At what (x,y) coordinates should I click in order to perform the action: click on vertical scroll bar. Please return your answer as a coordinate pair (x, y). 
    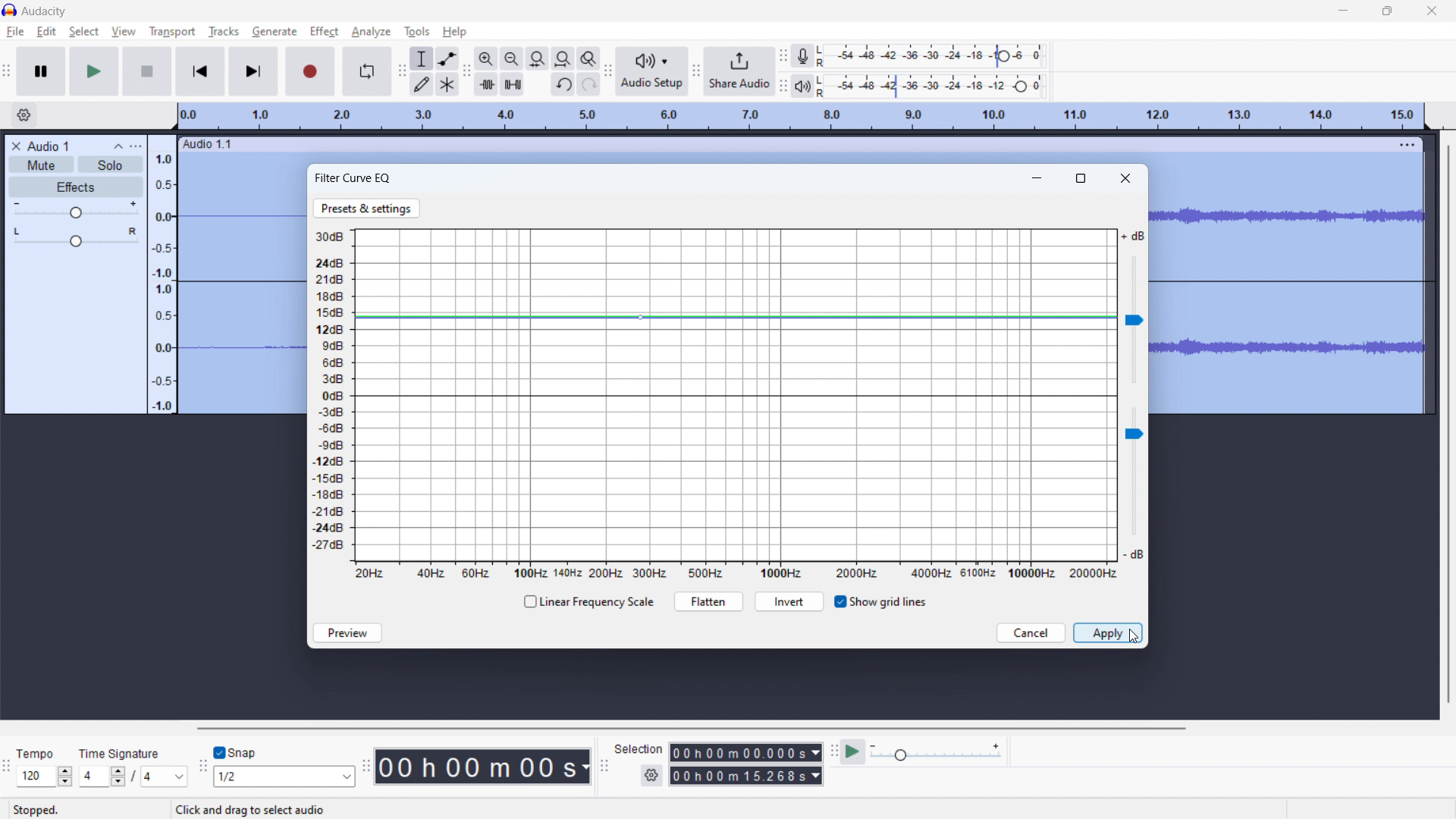
    Looking at the image, I should click on (1446, 425).